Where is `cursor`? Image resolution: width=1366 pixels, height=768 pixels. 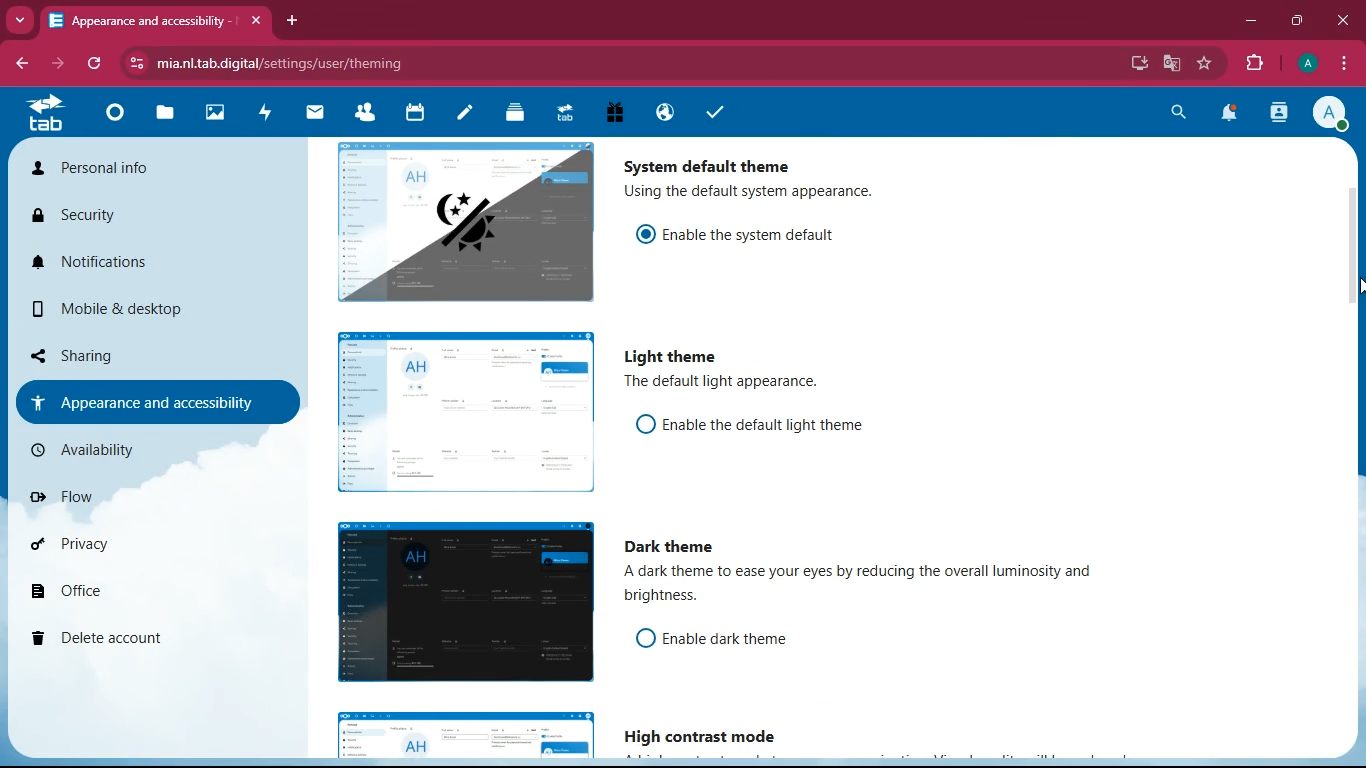
cursor is located at coordinates (1357, 286).